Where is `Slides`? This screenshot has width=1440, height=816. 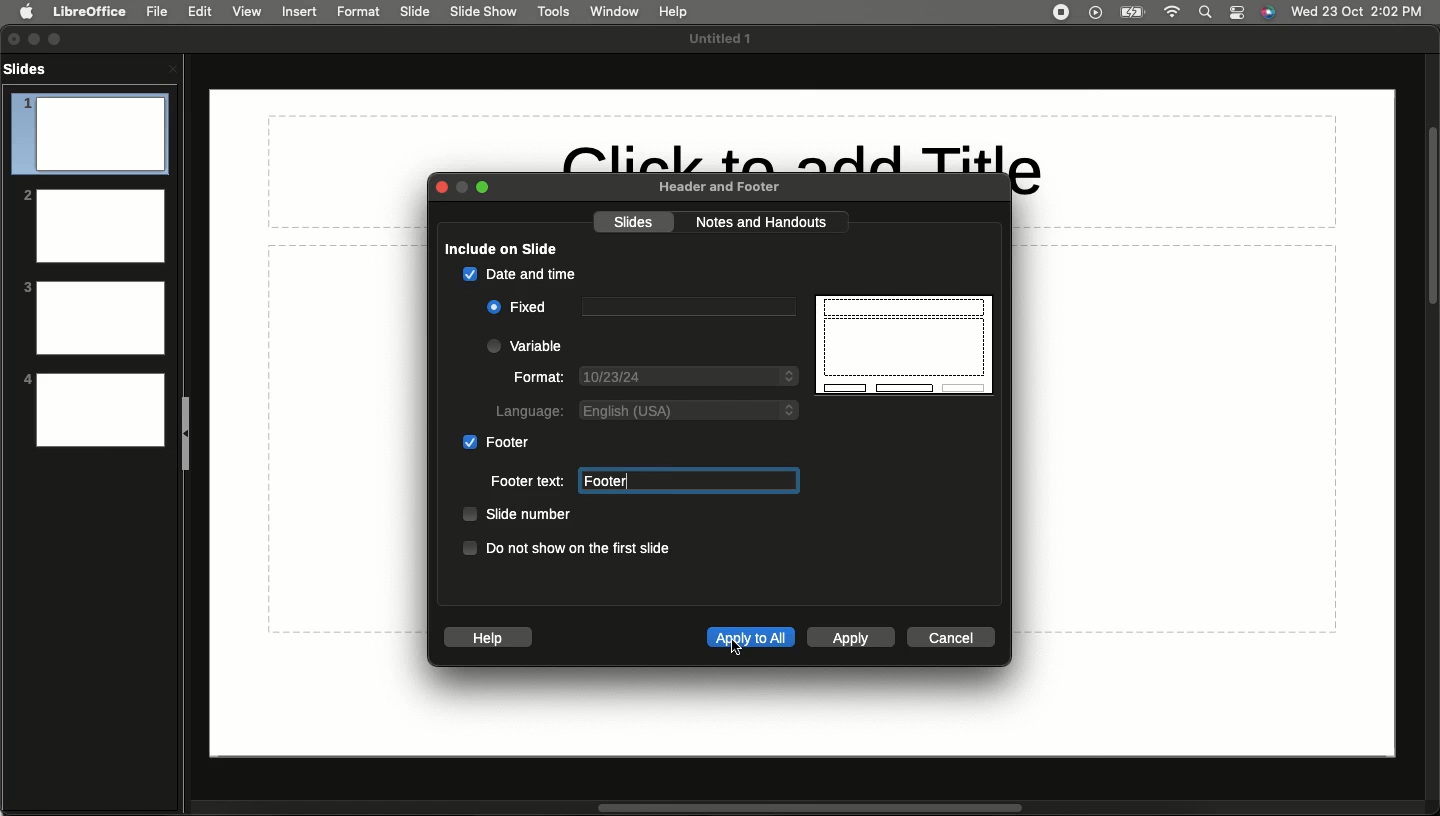 Slides is located at coordinates (633, 223).